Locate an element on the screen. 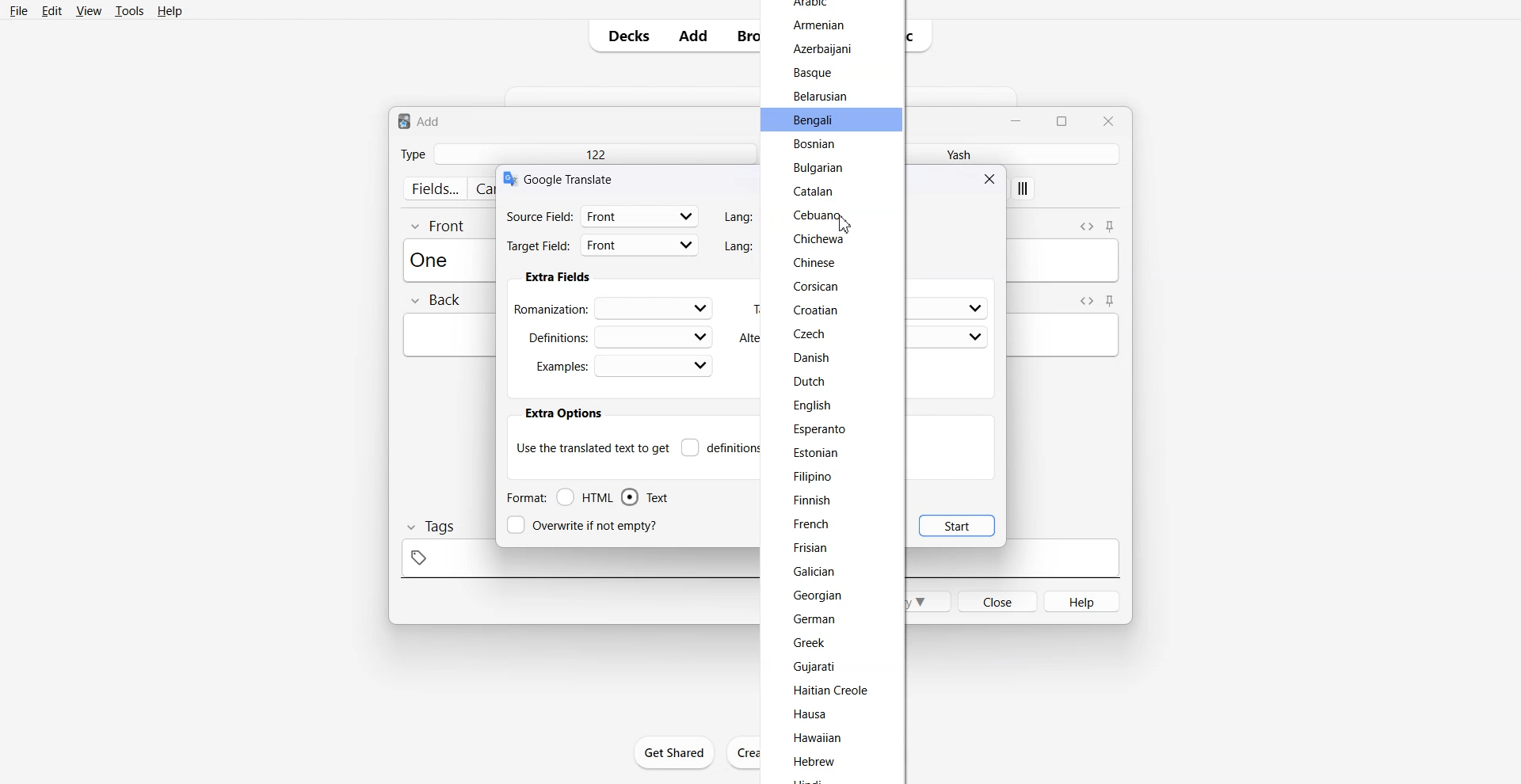  dropdown is located at coordinates (976, 337).